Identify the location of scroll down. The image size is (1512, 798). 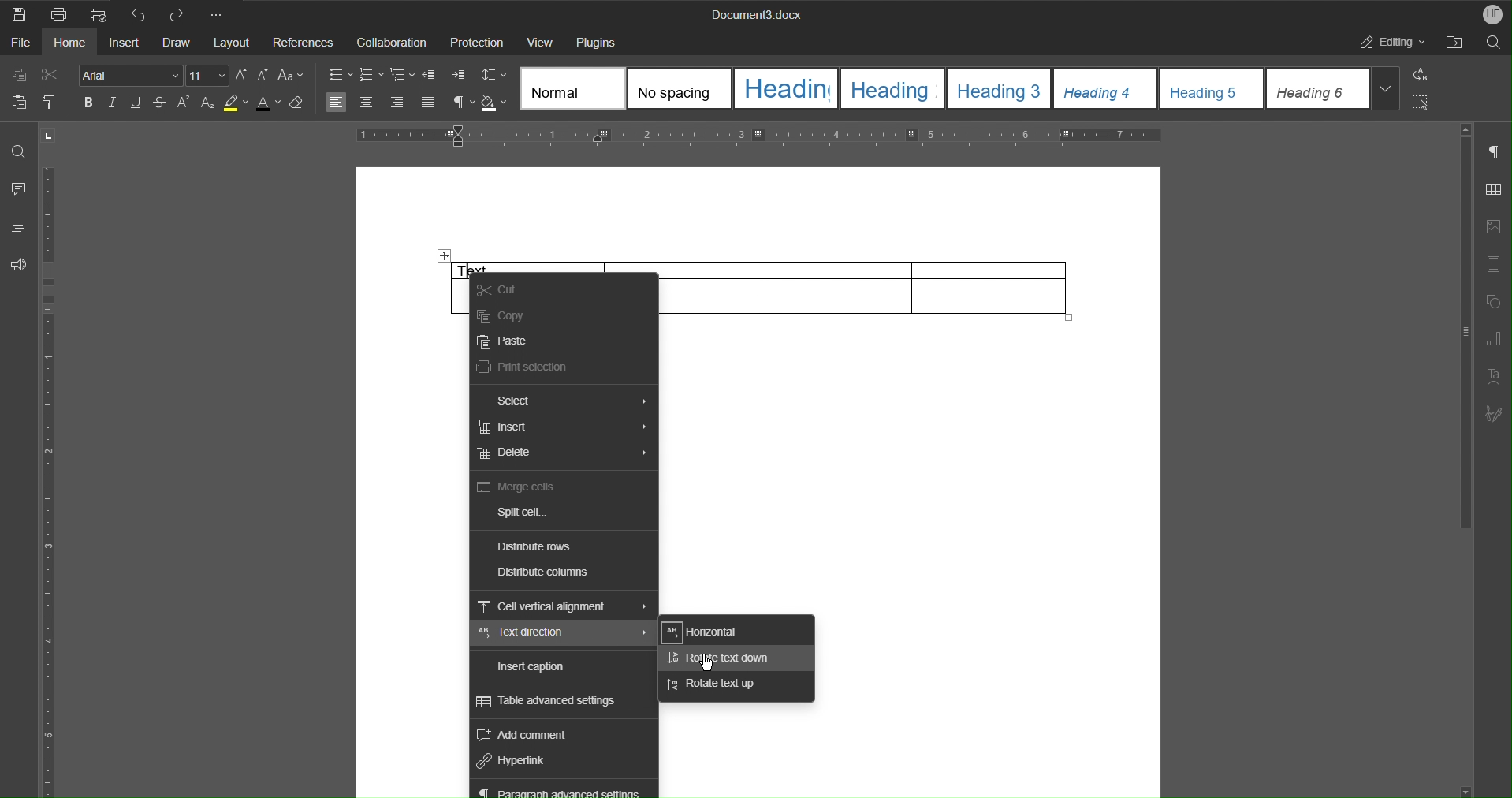
(1467, 792).